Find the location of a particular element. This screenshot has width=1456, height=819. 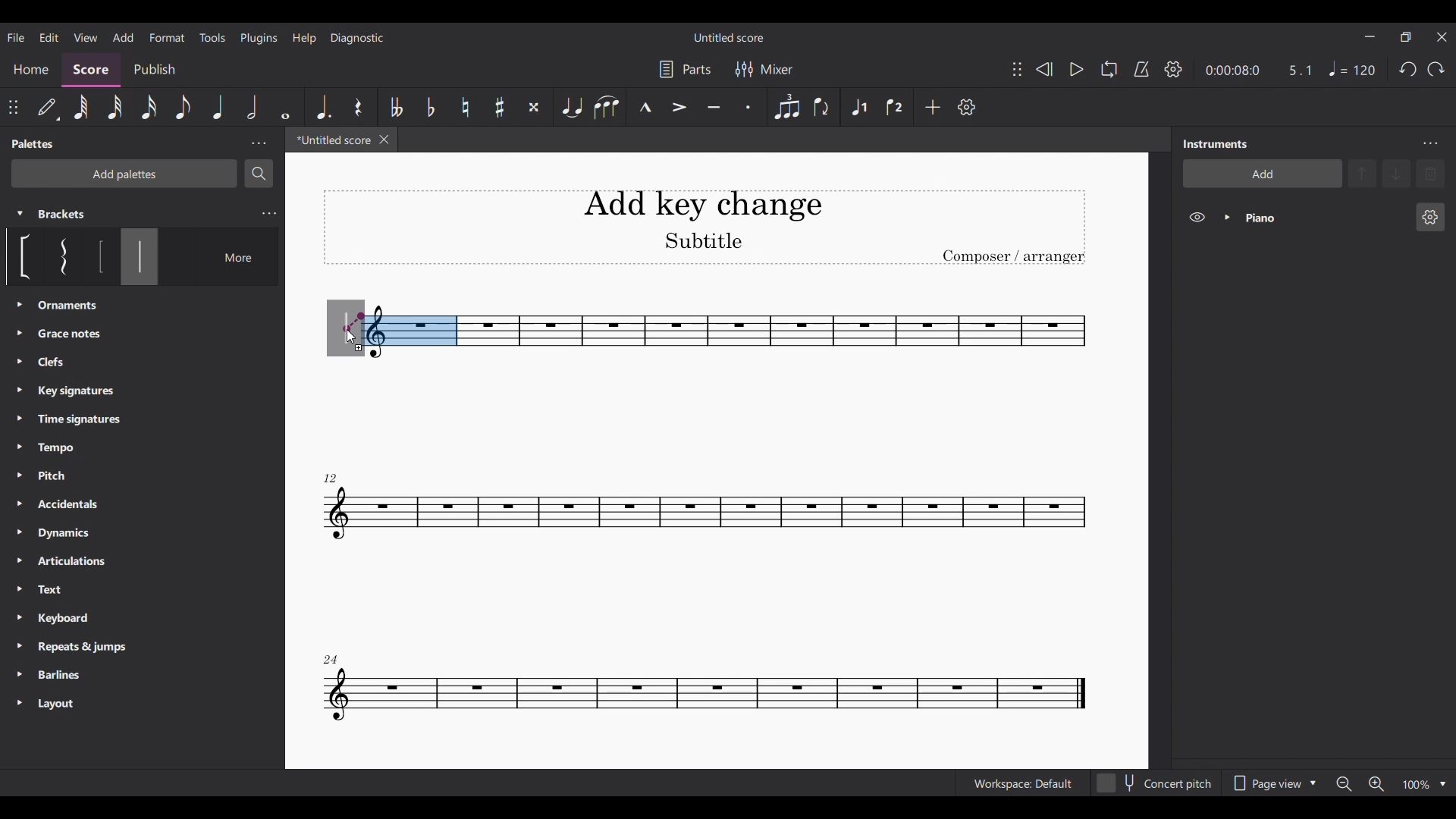

Voice 1 is located at coordinates (858, 108).